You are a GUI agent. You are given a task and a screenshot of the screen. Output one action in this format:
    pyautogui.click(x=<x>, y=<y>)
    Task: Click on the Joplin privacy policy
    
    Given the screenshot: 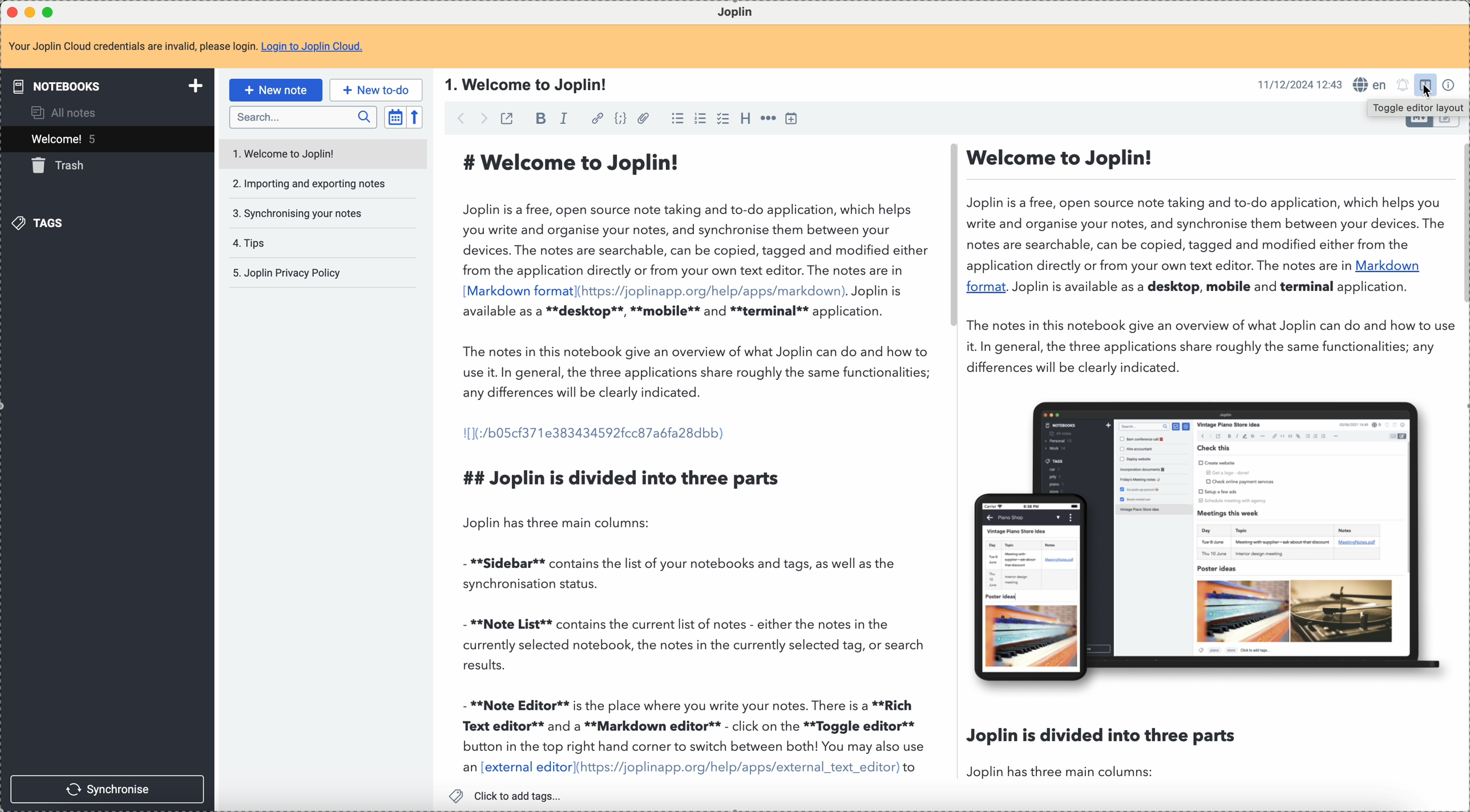 What is the action you would take?
    pyautogui.click(x=286, y=274)
    